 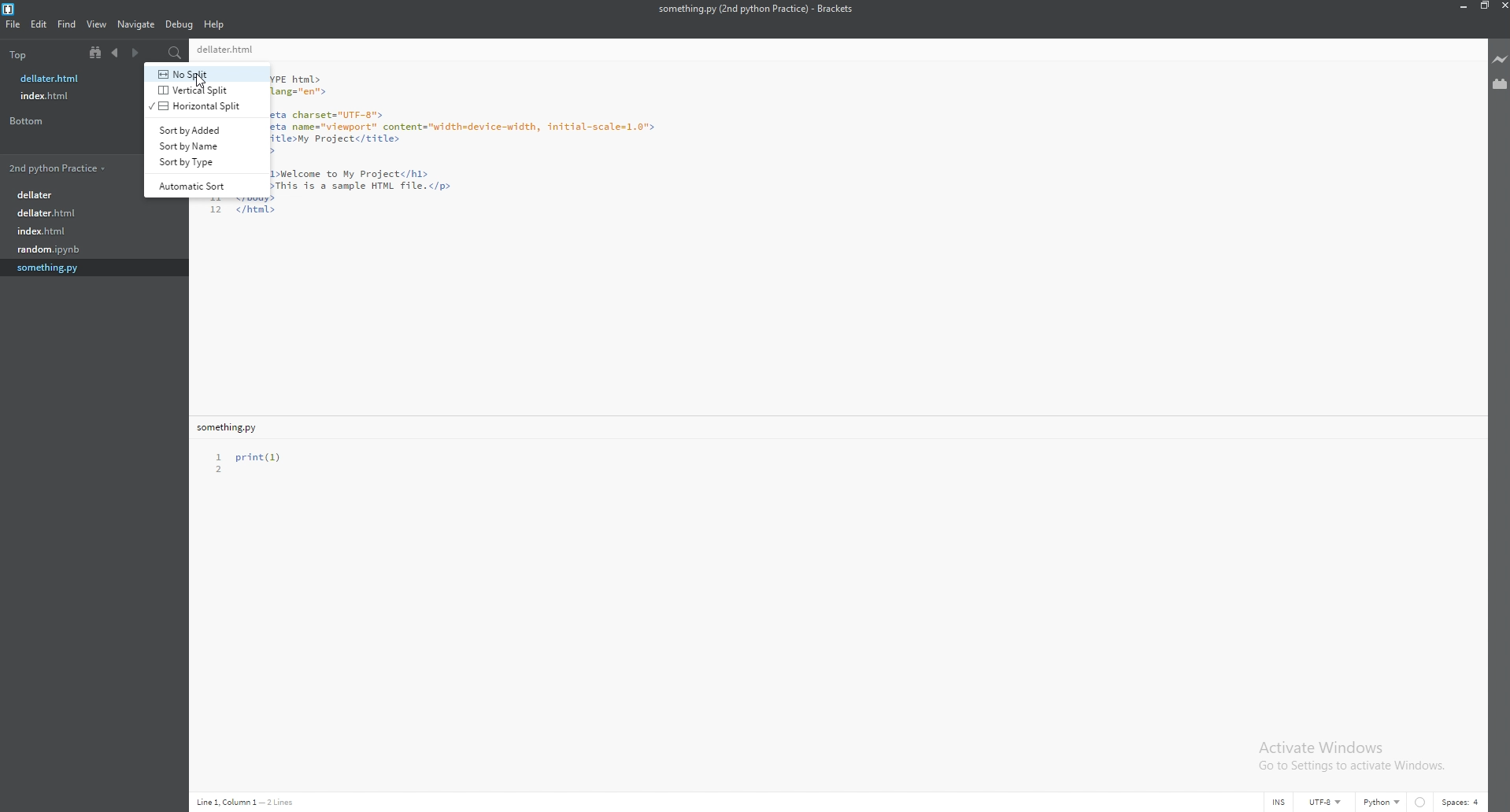 I want to click on horizontal split, so click(x=203, y=107).